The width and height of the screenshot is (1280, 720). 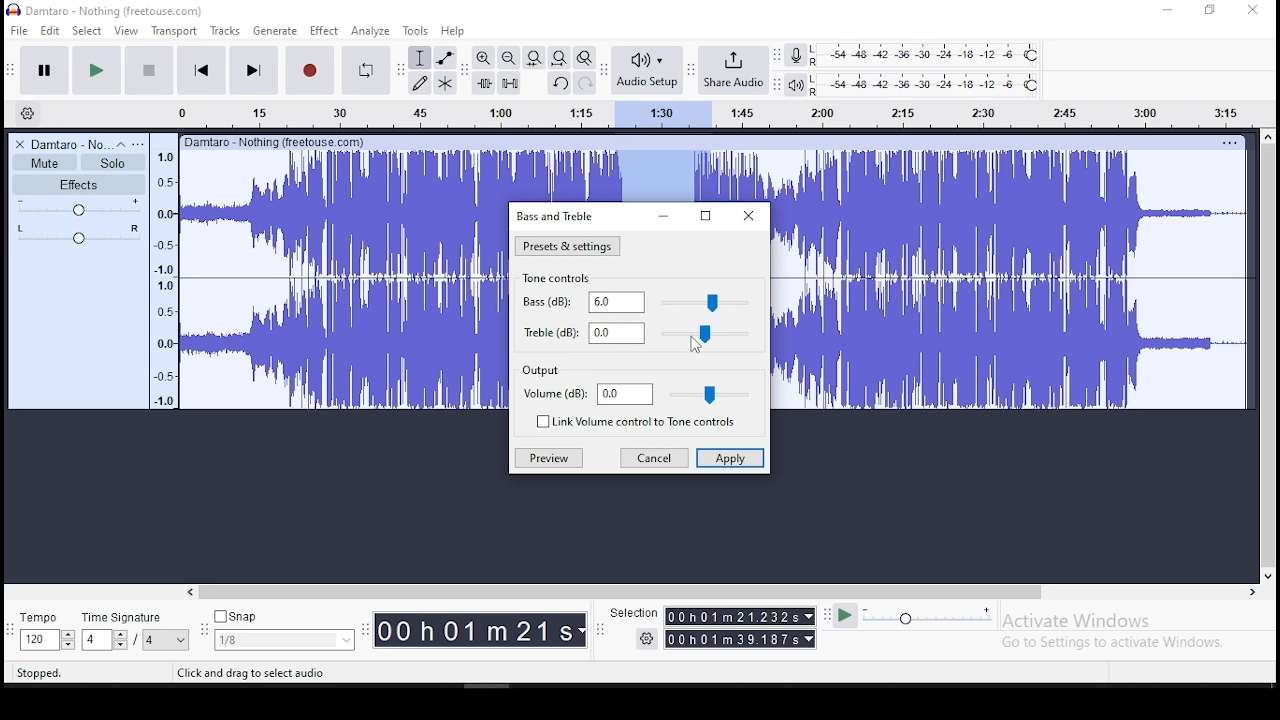 What do you see at coordinates (135, 617) in the screenshot?
I see `time signature` at bounding box center [135, 617].